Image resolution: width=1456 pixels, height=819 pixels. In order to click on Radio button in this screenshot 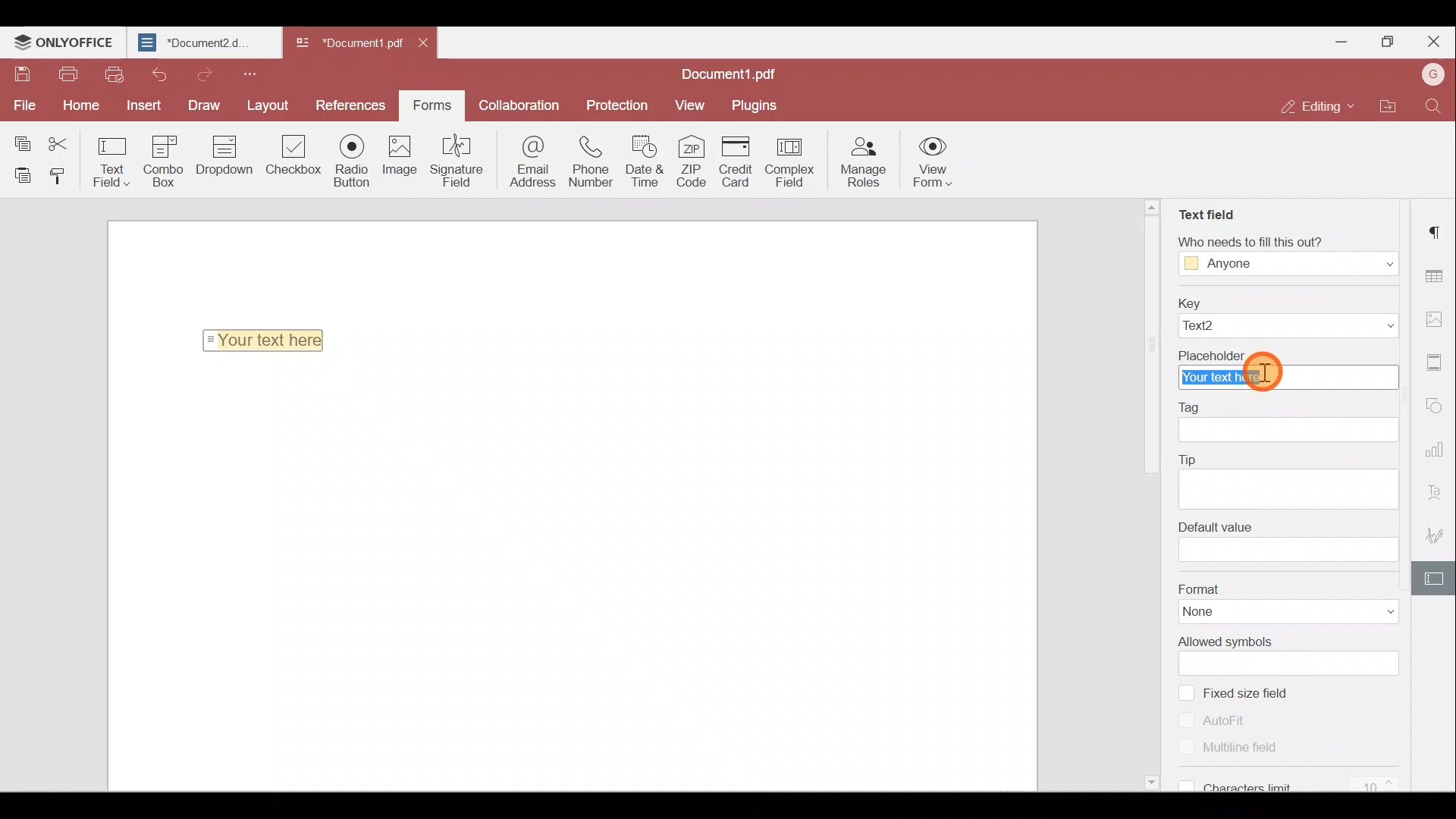, I will do `click(355, 162)`.